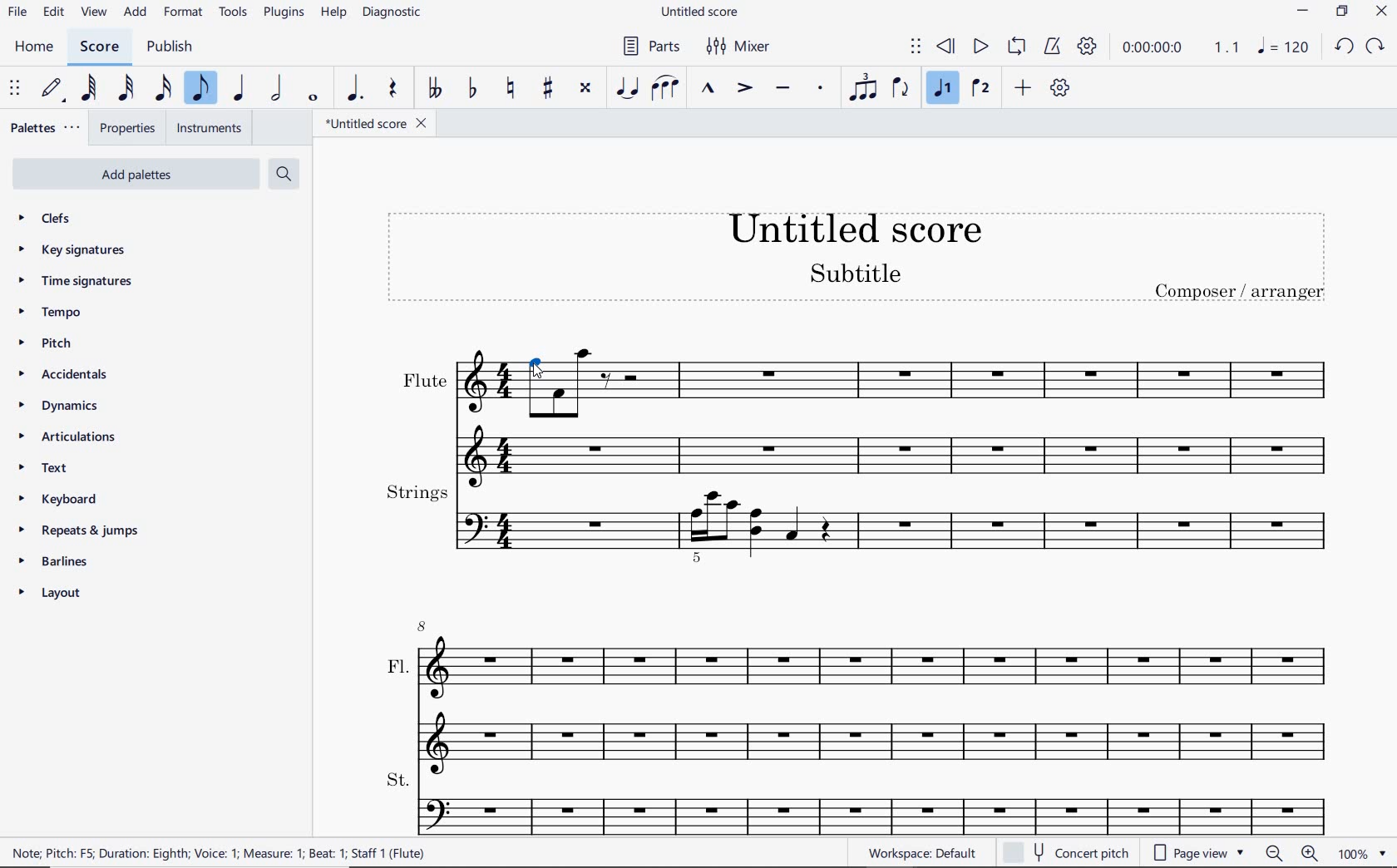 Image resolution: width=1397 pixels, height=868 pixels. What do you see at coordinates (943, 47) in the screenshot?
I see `REWIND` at bounding box center [943, 47].